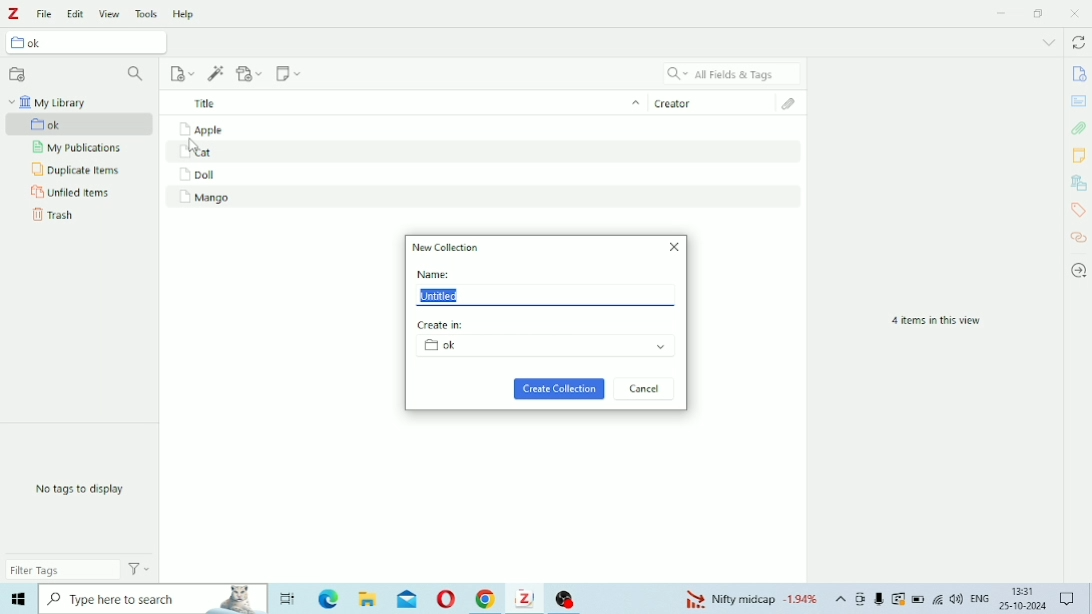 The width and height of the screenshot is (1092, 614). Describe the element at coordinates (559, 389) in the screenshot. I see `Create Collection` at that location.